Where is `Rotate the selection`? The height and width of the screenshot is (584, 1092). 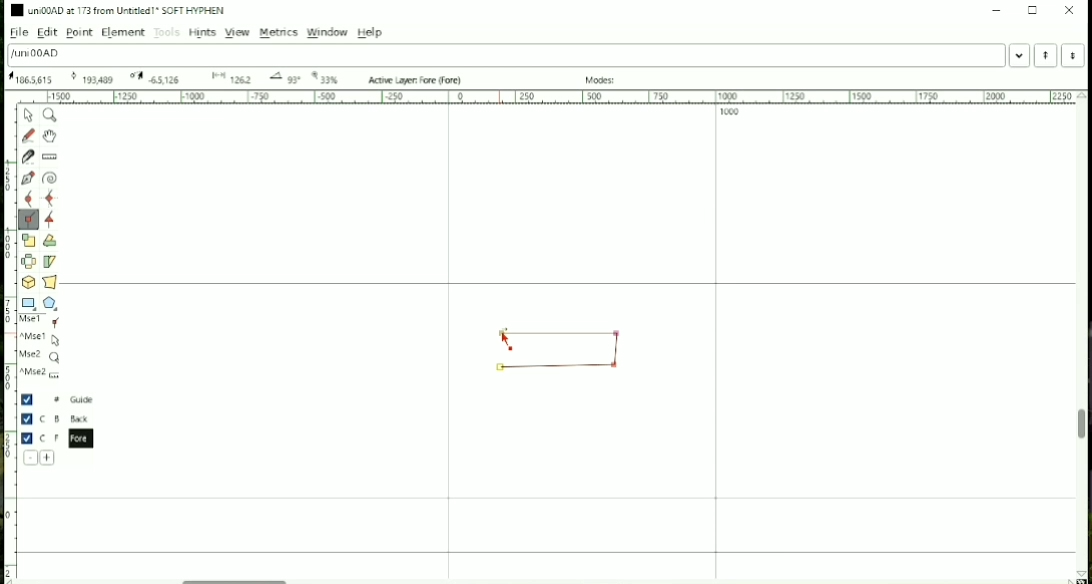
Rotate the selection is located at coordinates (50, 242).